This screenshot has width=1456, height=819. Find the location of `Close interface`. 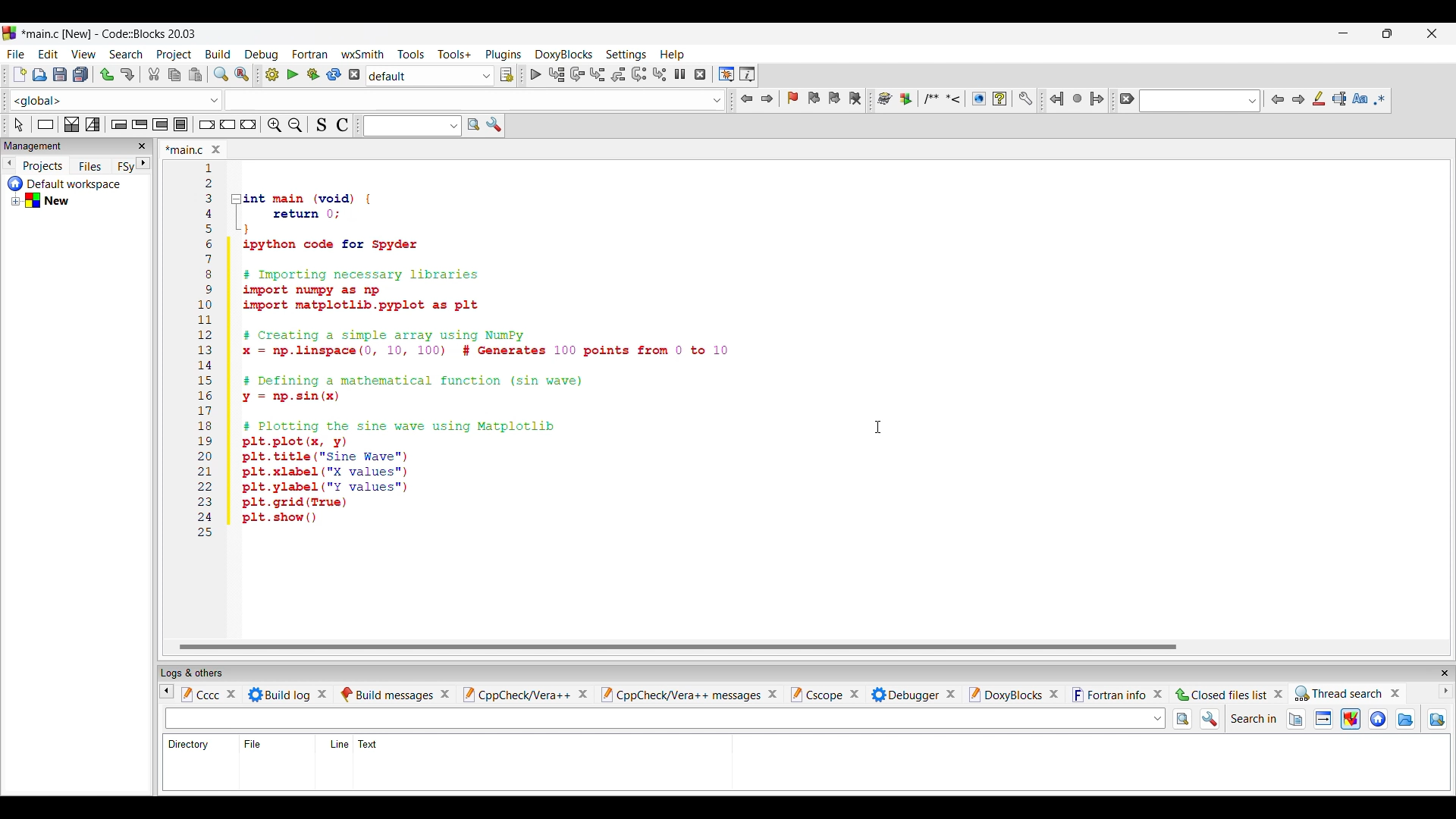

Close interface is located at coordinates (1432, 33).